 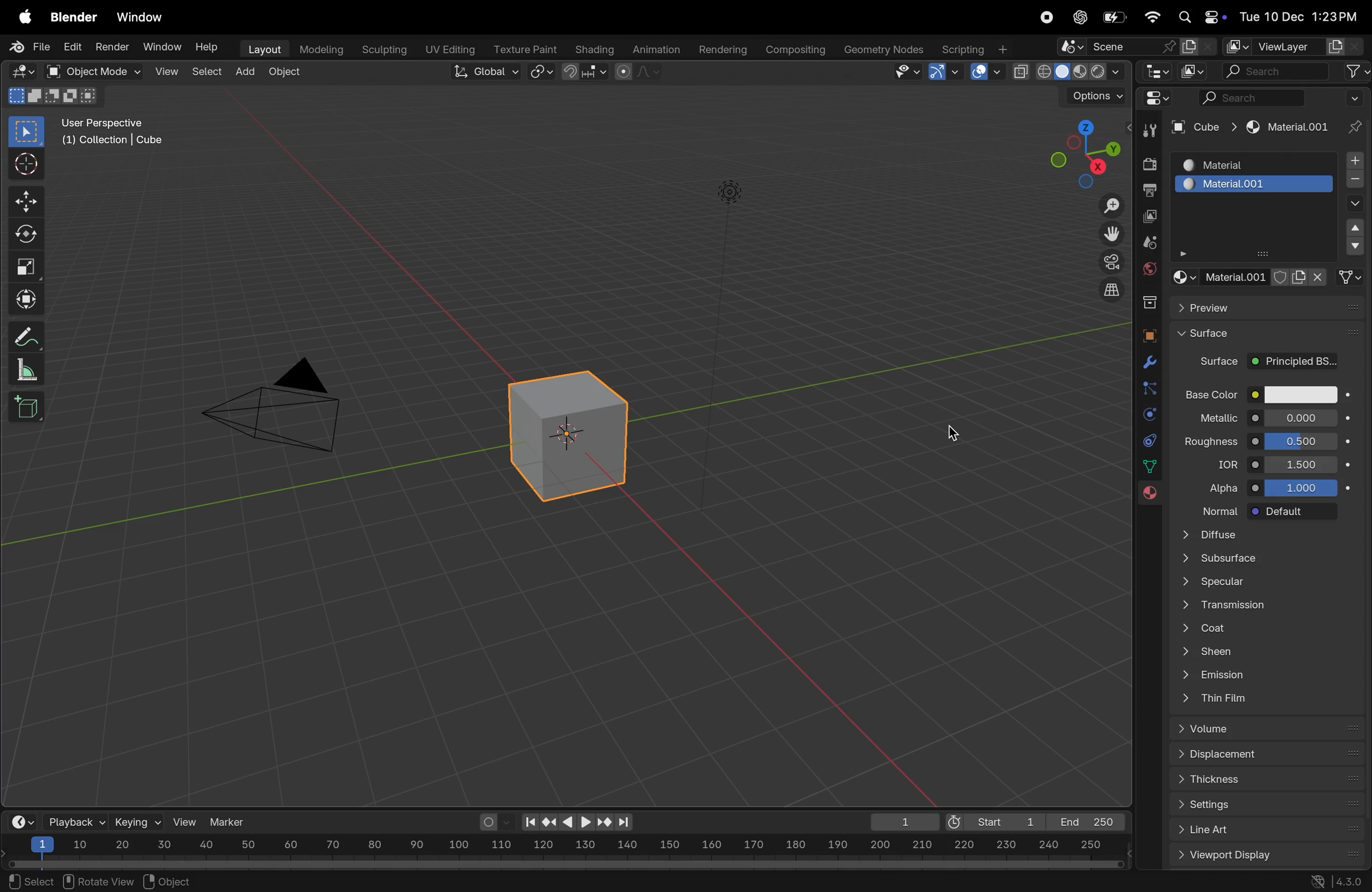 What do you see at coordinates (993, 820) in the screenshot?
I see `Start 1` at bounding box center [993, 820].